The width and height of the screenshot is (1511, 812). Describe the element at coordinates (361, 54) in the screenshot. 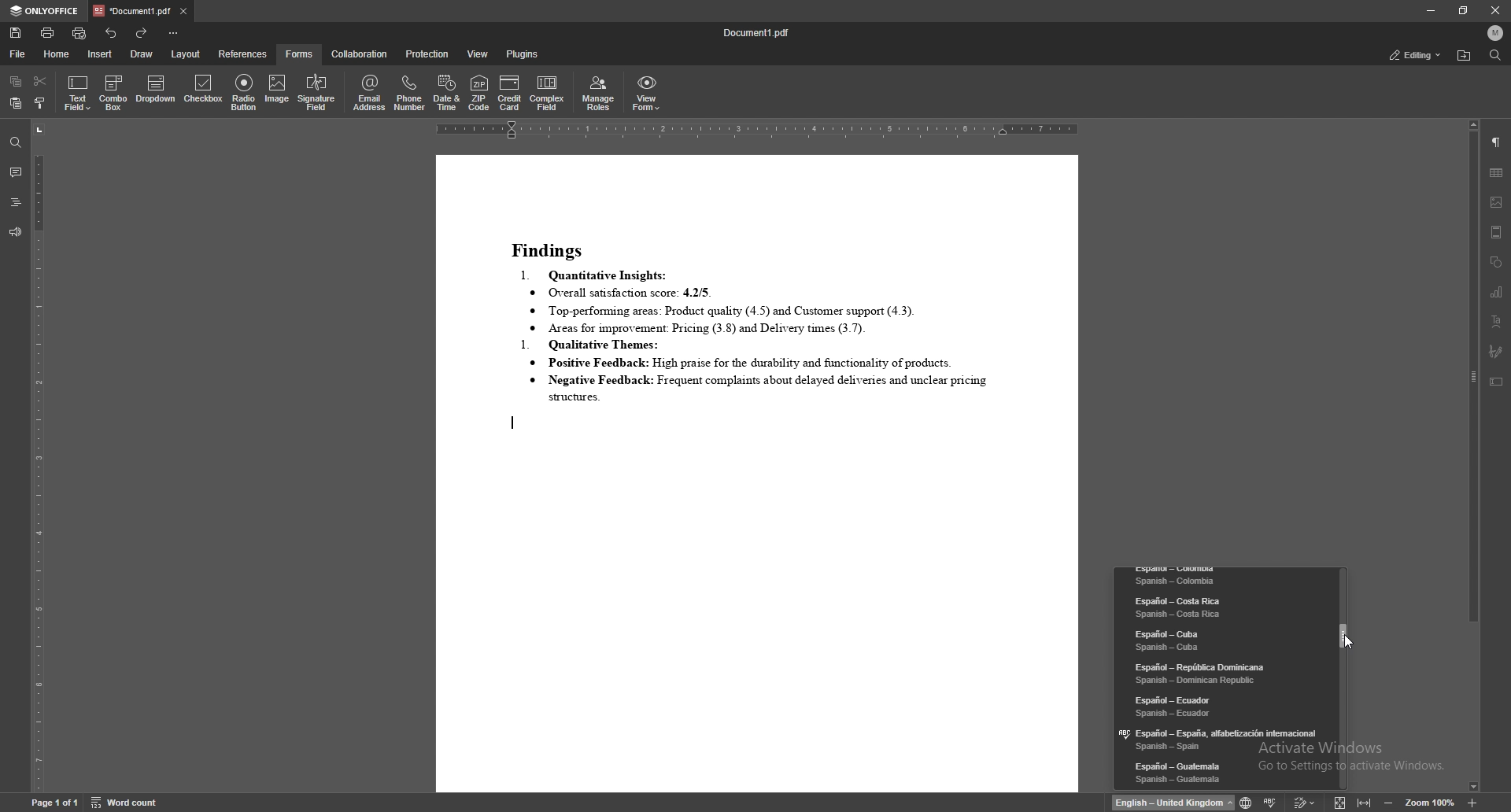

I see `collaboration` at that location.